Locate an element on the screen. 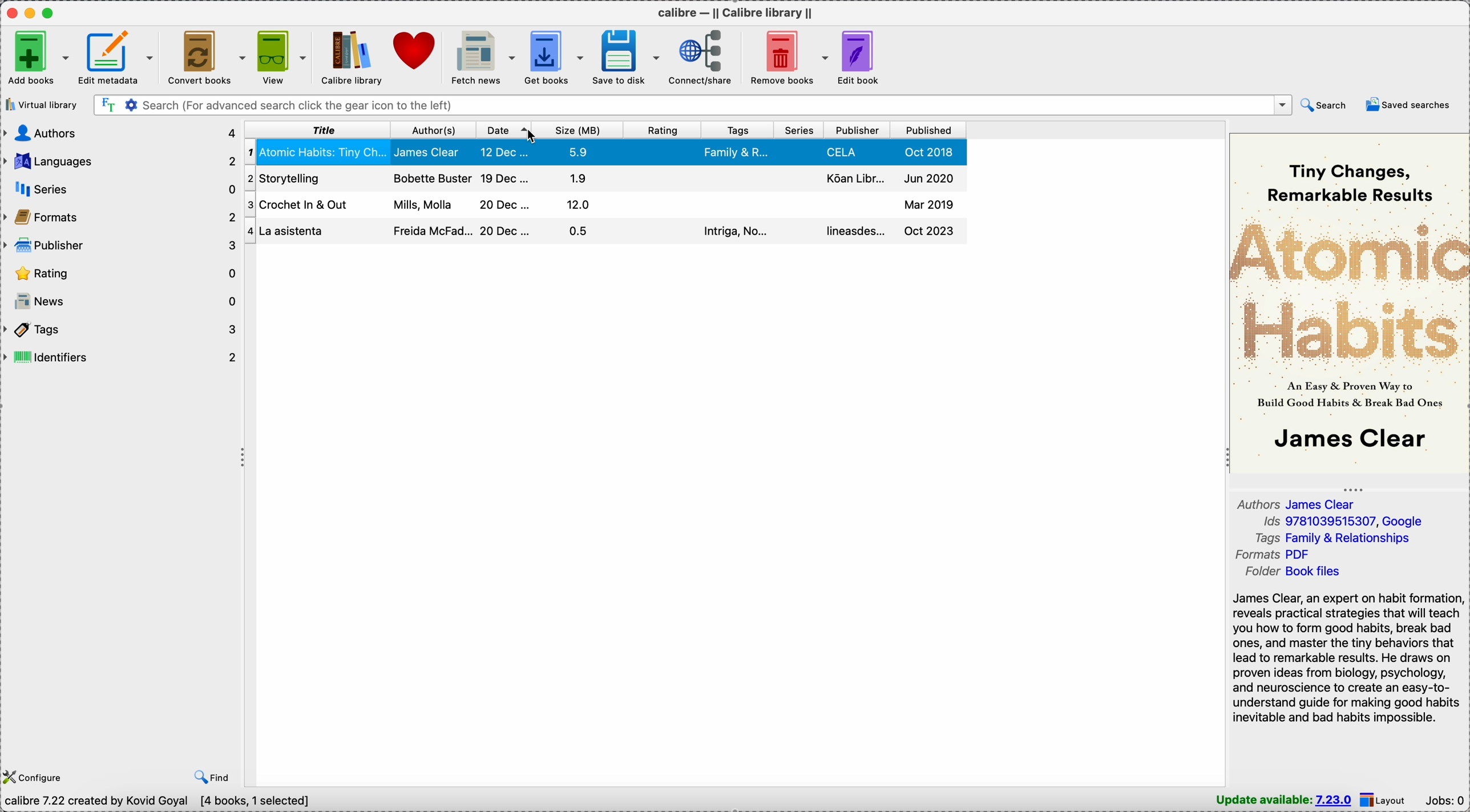  rating is located at coordinates (122, 273).